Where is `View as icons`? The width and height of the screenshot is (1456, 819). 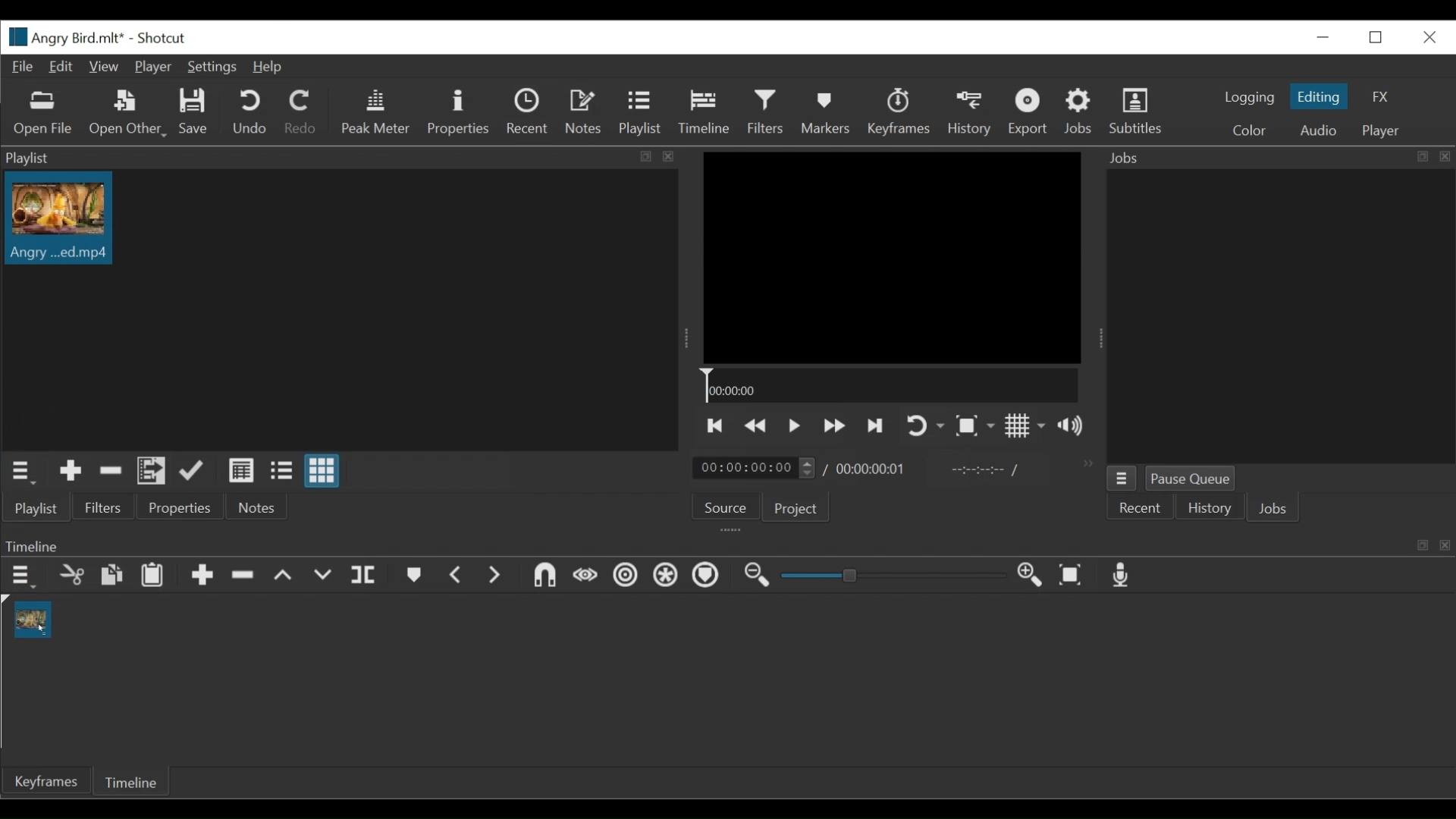 View as icons is located at coordinates (322, 472).